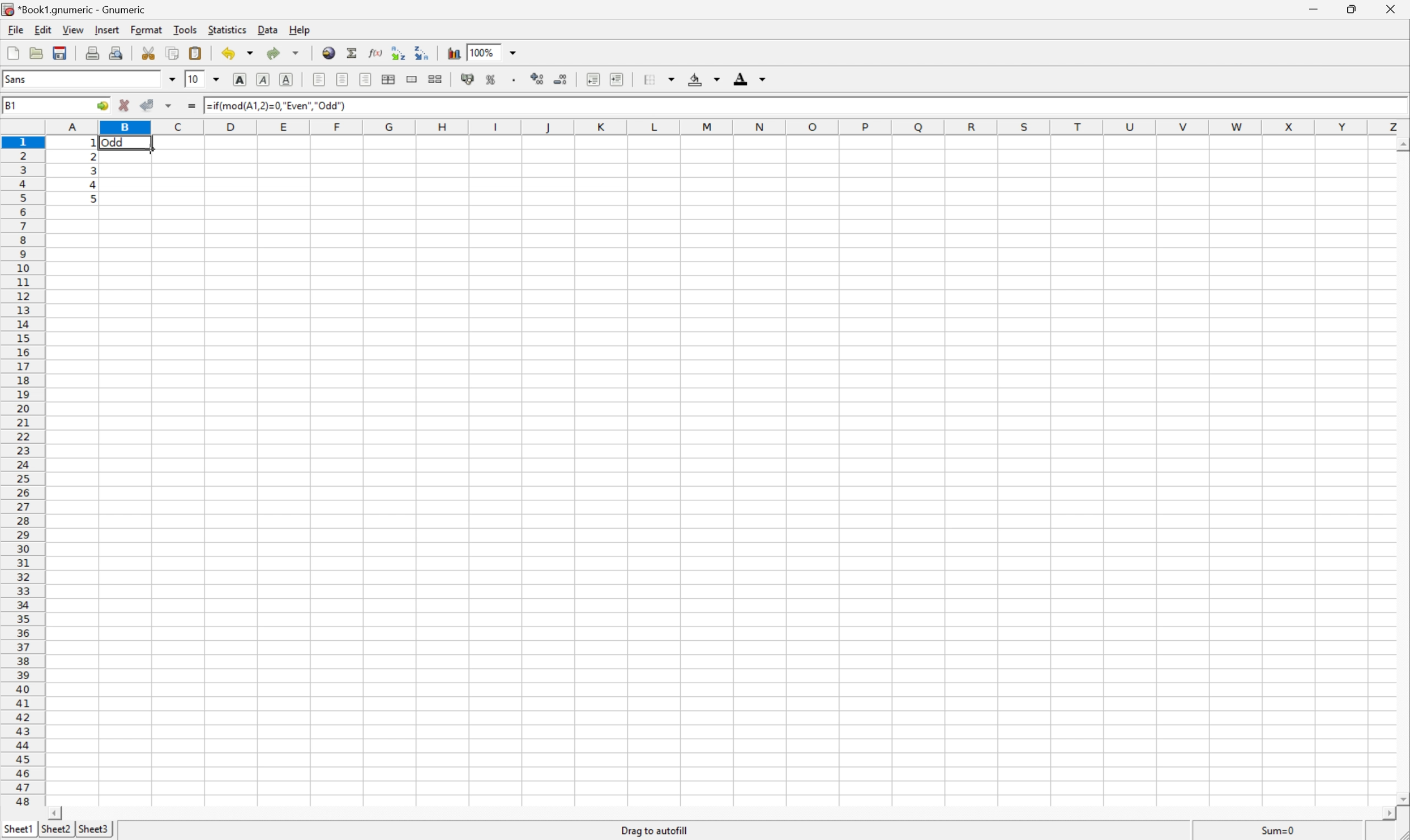 Image resolution: width=1410 pixels, height=840 pixels. What do you see at coordinates (147, 52) in the screenshot?
I see `Cut selection` at bounding box center [147, 52].